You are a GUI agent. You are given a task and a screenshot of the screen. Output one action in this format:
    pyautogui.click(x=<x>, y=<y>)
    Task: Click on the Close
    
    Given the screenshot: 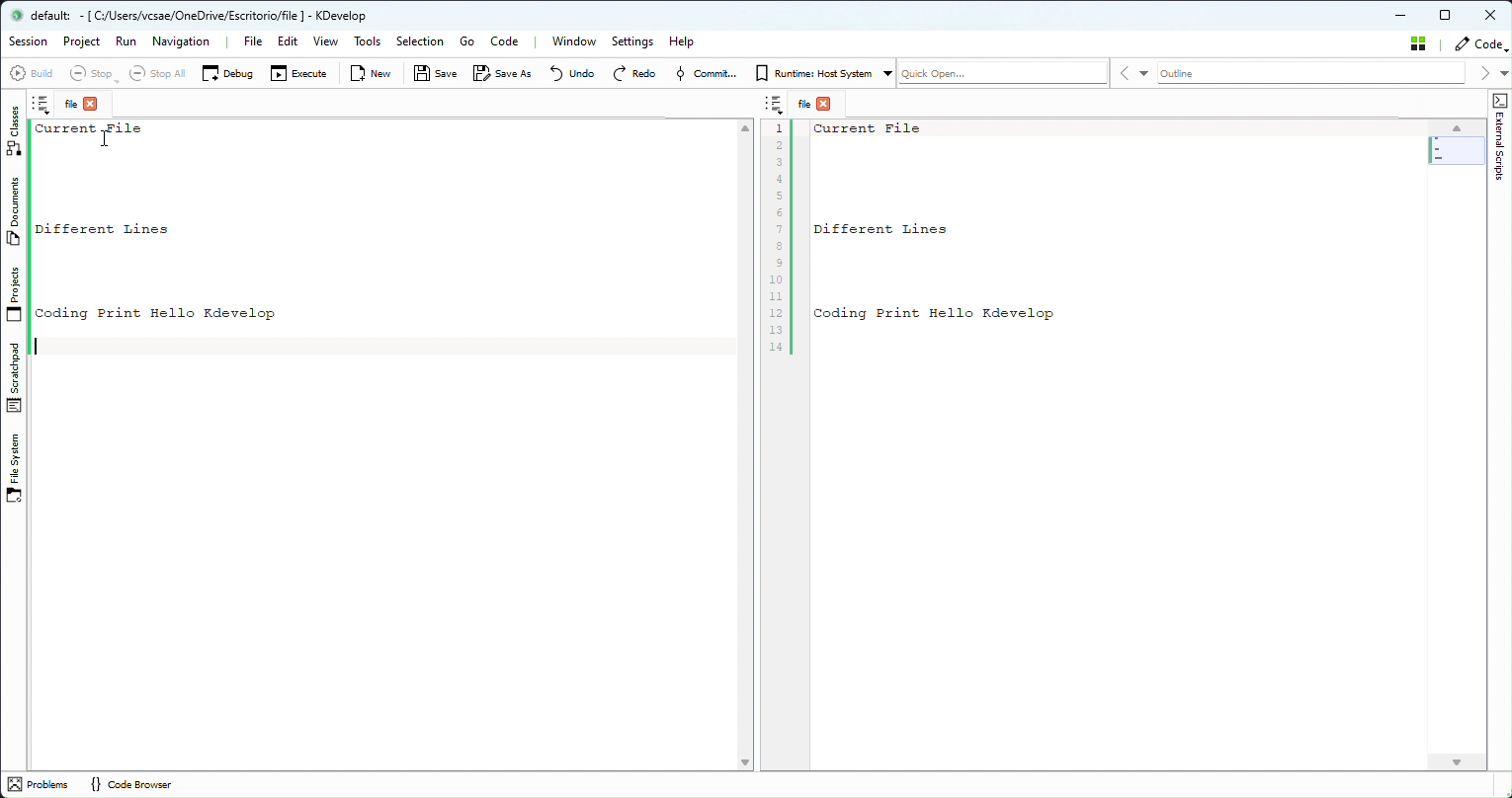 What is the action you would take?
    pyautogui.click(x=1489, y=14)
    